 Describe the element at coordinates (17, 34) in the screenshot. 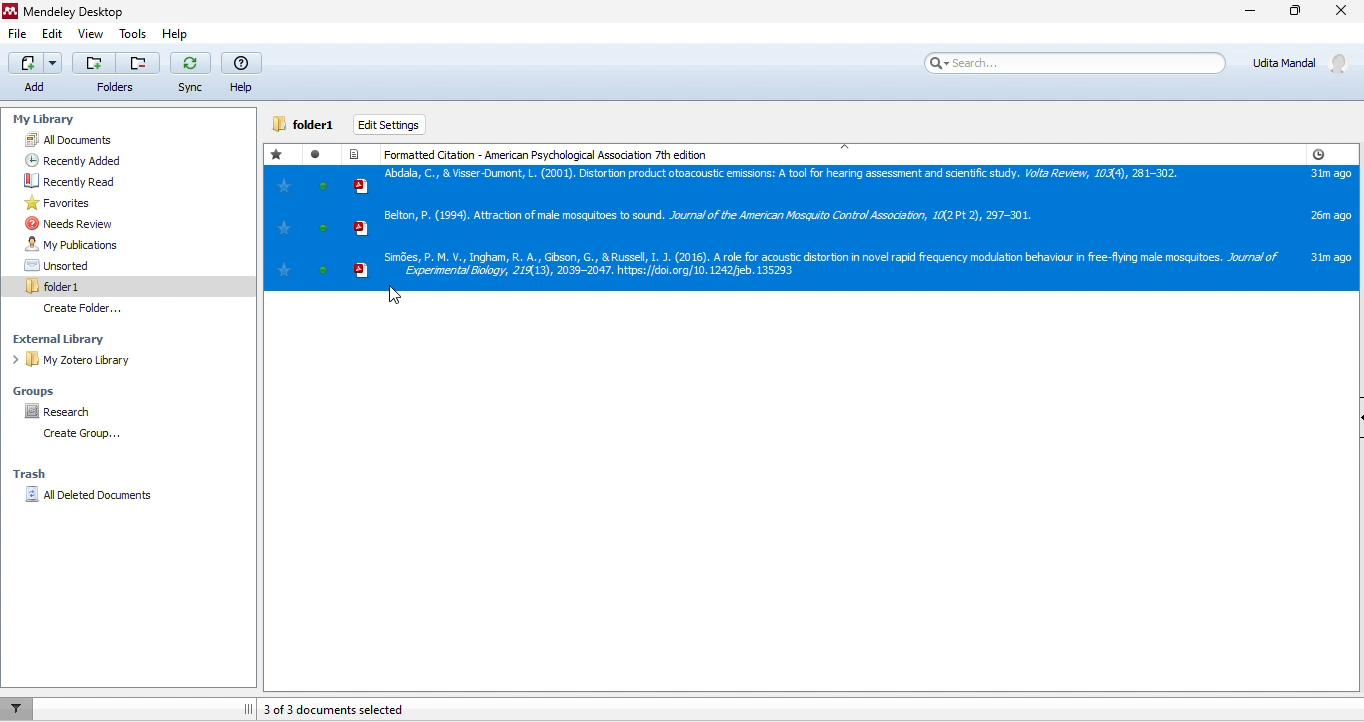

I see `file` at that location.